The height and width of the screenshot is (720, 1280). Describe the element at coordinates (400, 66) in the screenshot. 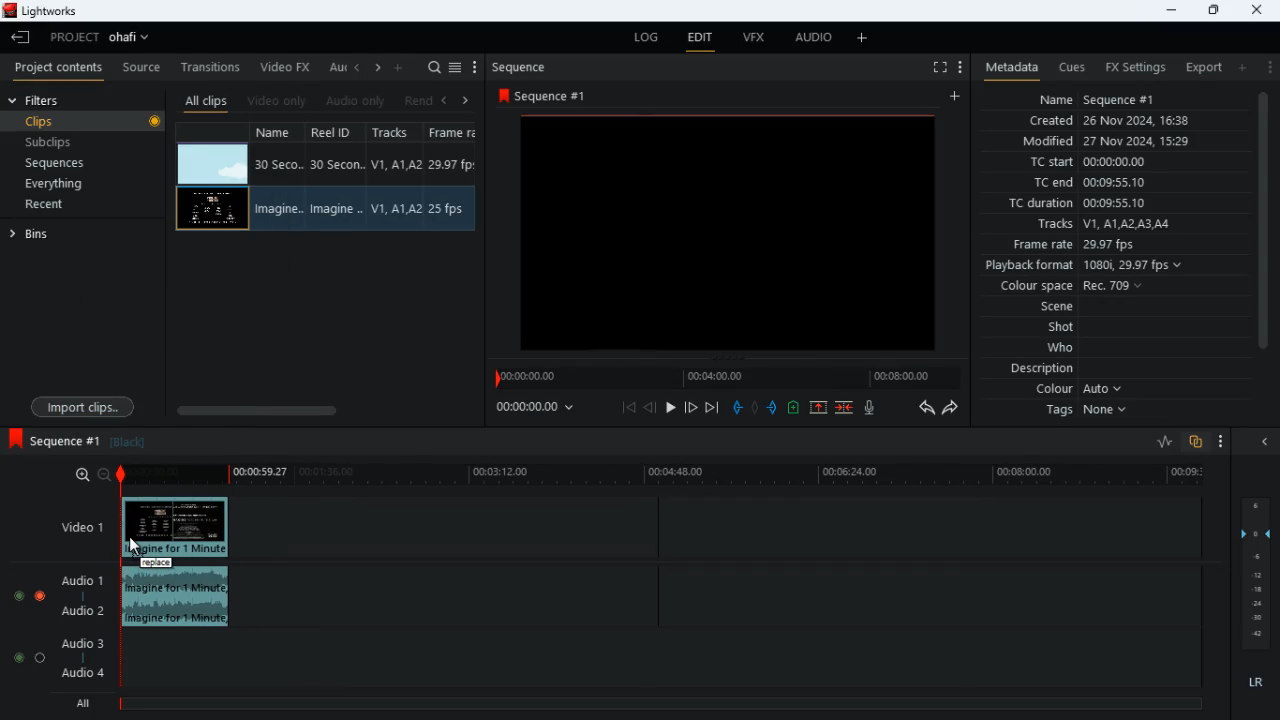

I see `add` at that location.